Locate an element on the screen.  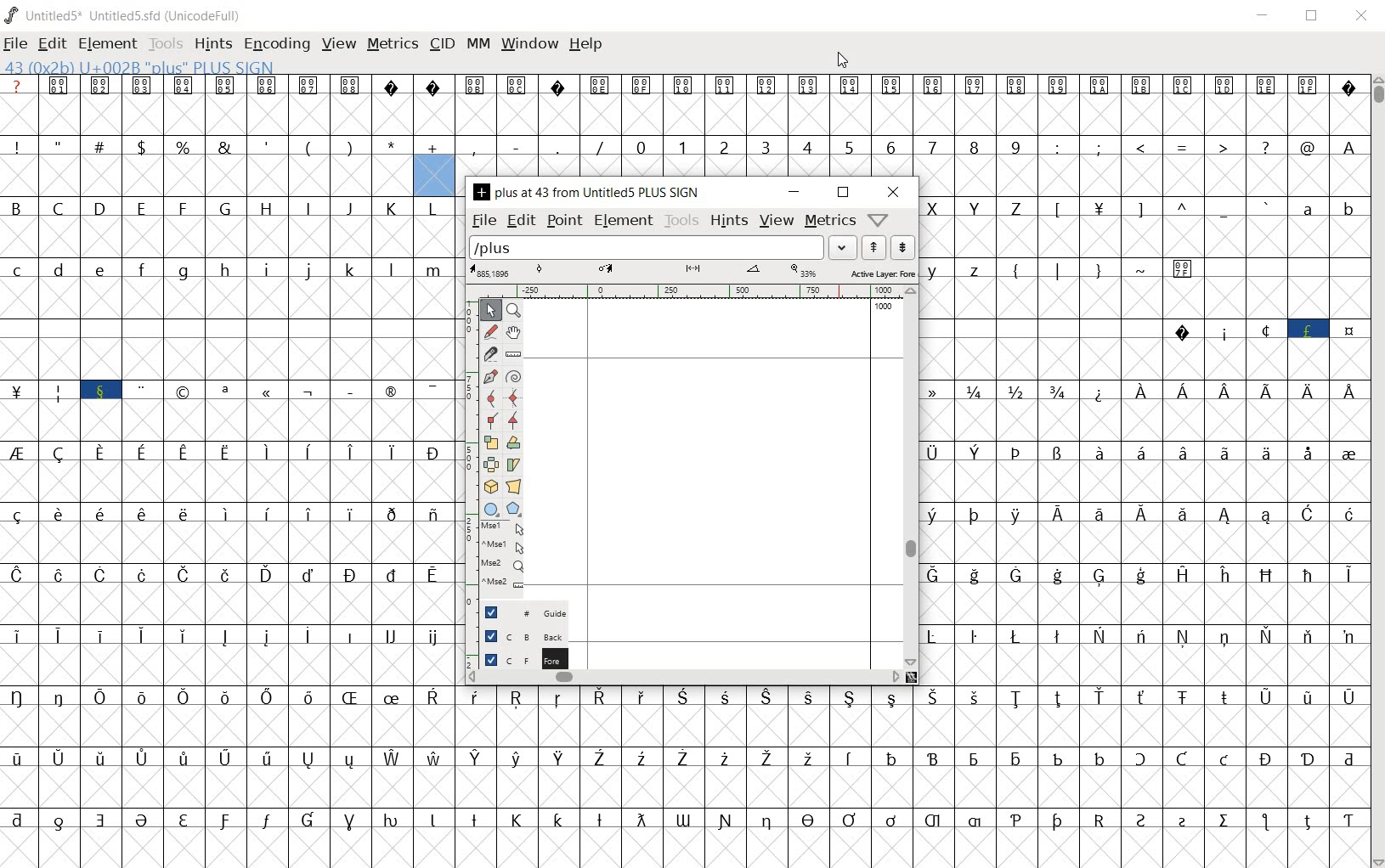
element is located at coordinates (622, 219).